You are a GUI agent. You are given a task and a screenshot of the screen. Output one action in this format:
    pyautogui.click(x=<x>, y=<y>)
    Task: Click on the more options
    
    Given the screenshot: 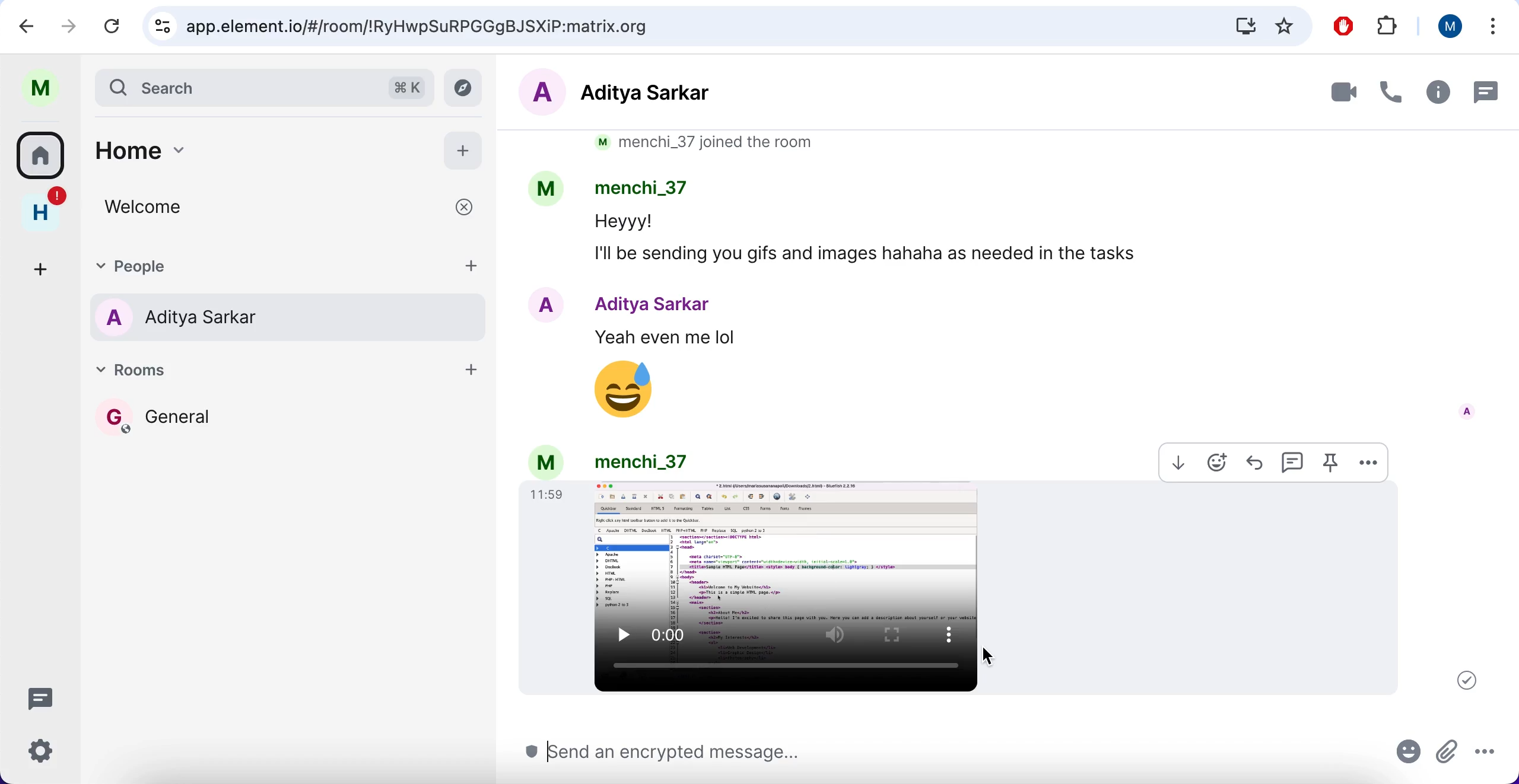 What is the action you would take?
    pyautogui.click(x=1371, y=463)
    